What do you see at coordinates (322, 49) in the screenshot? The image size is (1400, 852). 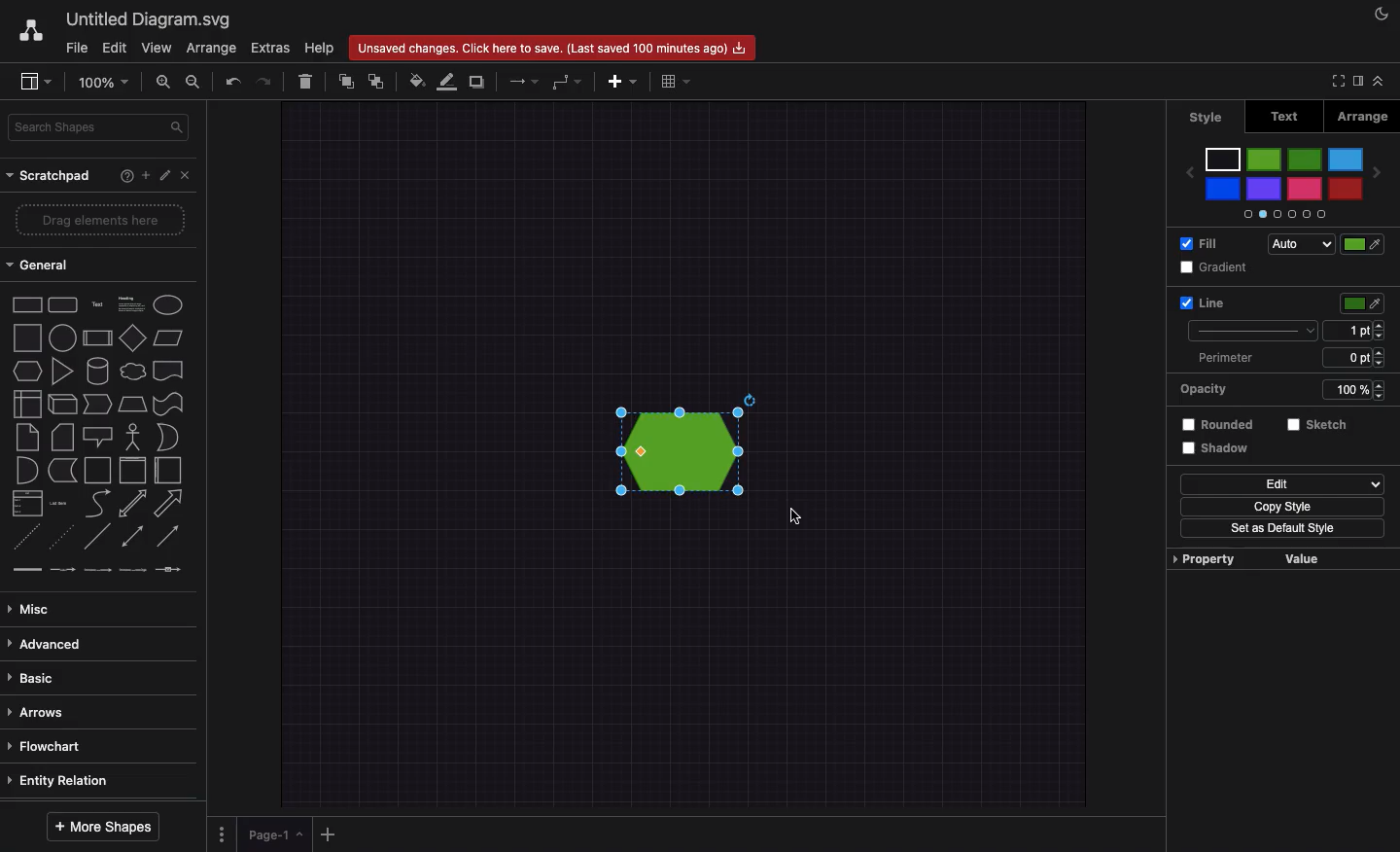 I see `Help` at bounding box center [322, 49].